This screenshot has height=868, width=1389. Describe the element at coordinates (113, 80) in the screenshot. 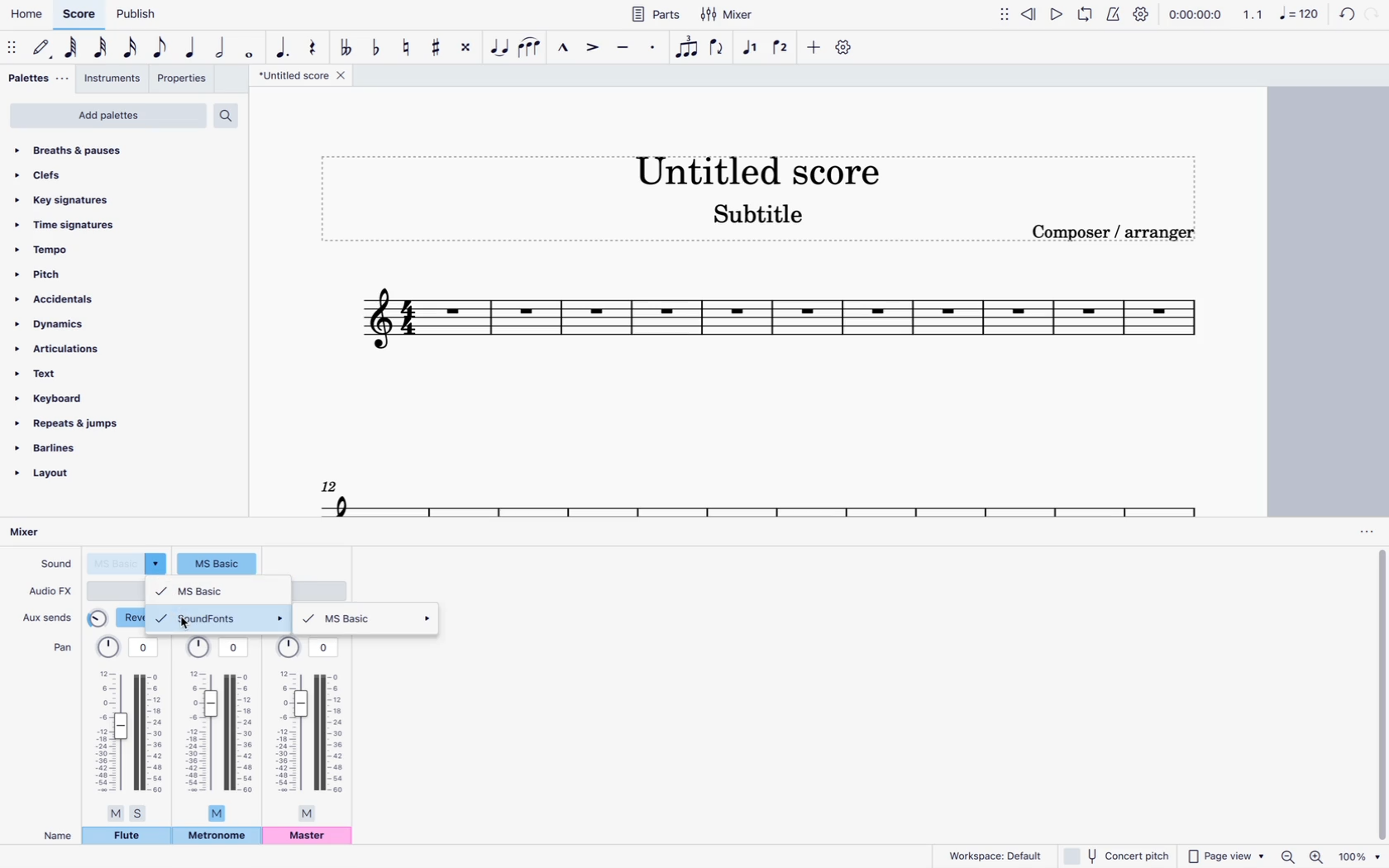

I see `instruments` at that location.